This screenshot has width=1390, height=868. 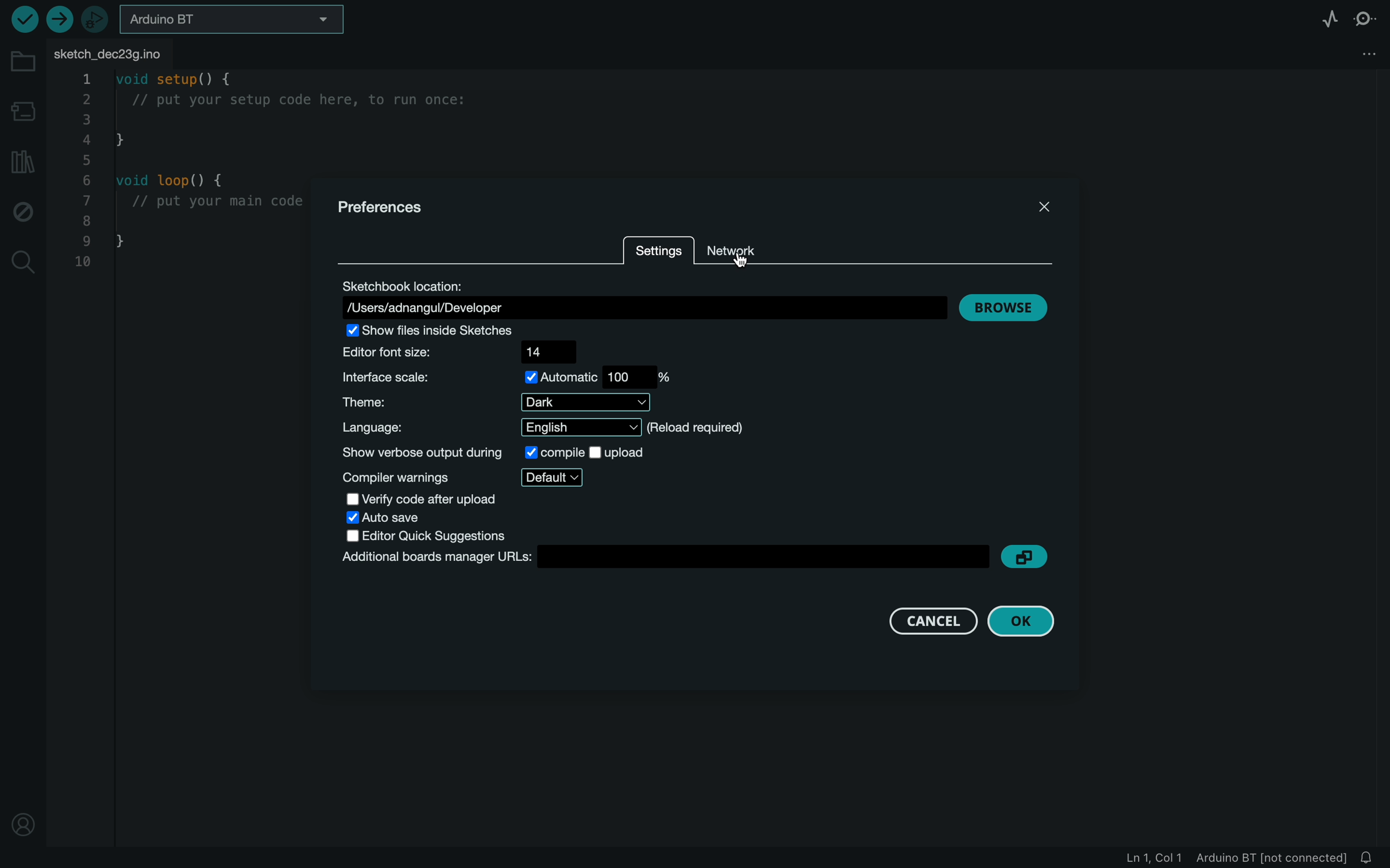 I want to click on cancel, so click(x=928, y=620).